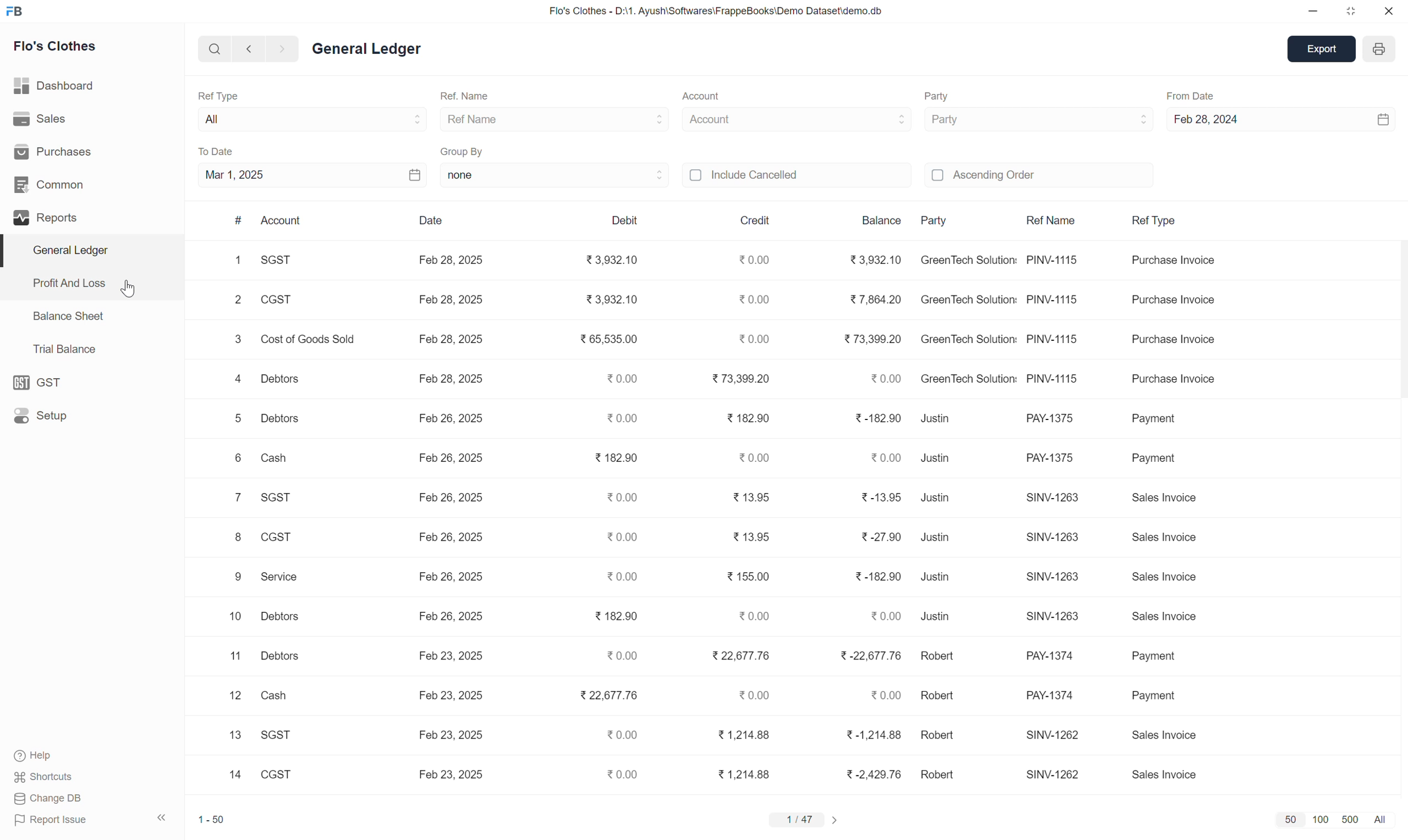 This screenshot has width=1408, height=840. Describe the element at coordinates (1049, 496) in the screenshot. I see `SINV-1263` at that location.